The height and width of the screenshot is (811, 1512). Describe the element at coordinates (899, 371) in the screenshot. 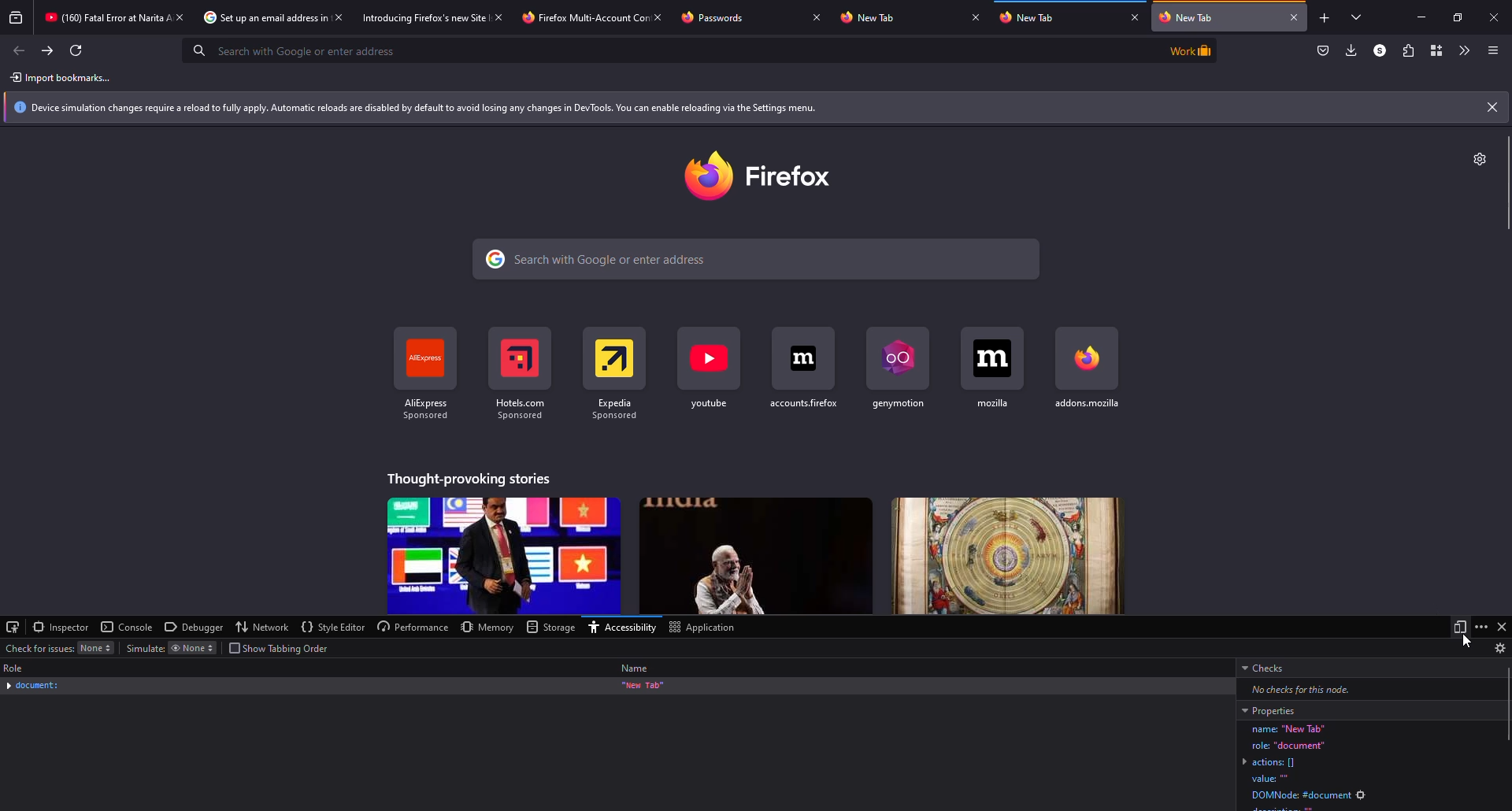

I see `Genymotion shortcut` at that location.